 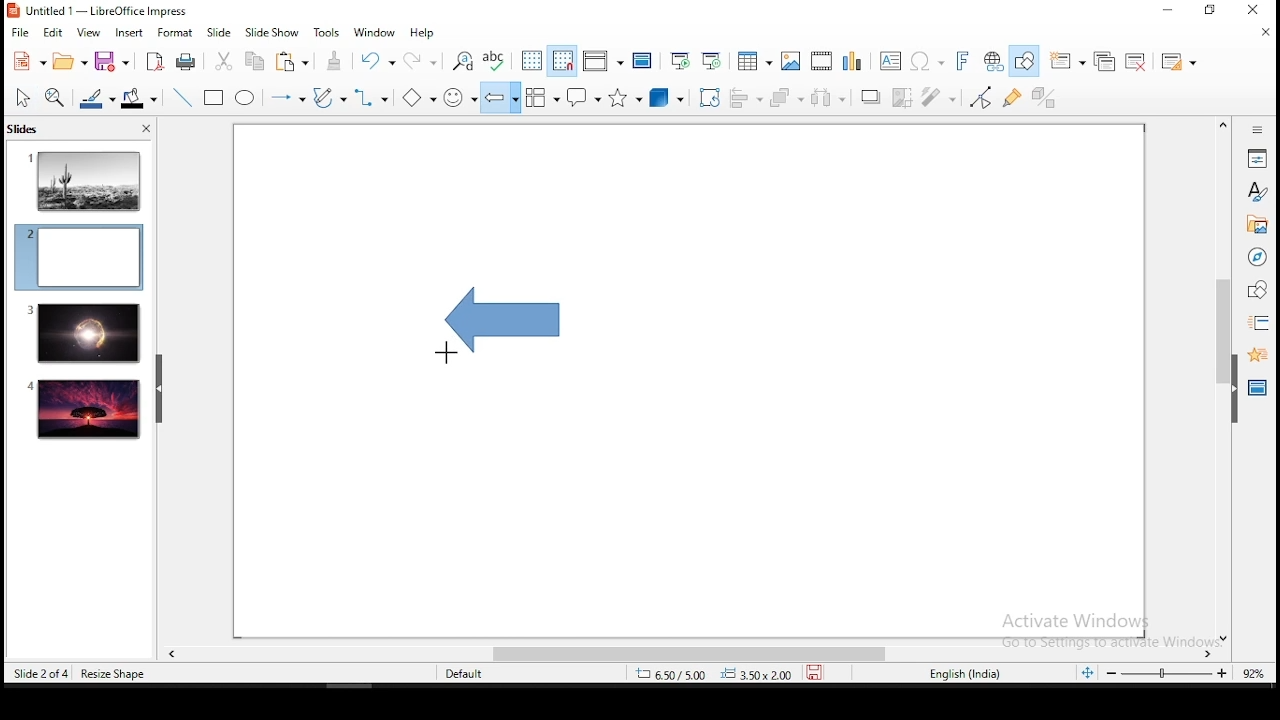 I want to click on gallery, so click(x=1257, y=227).